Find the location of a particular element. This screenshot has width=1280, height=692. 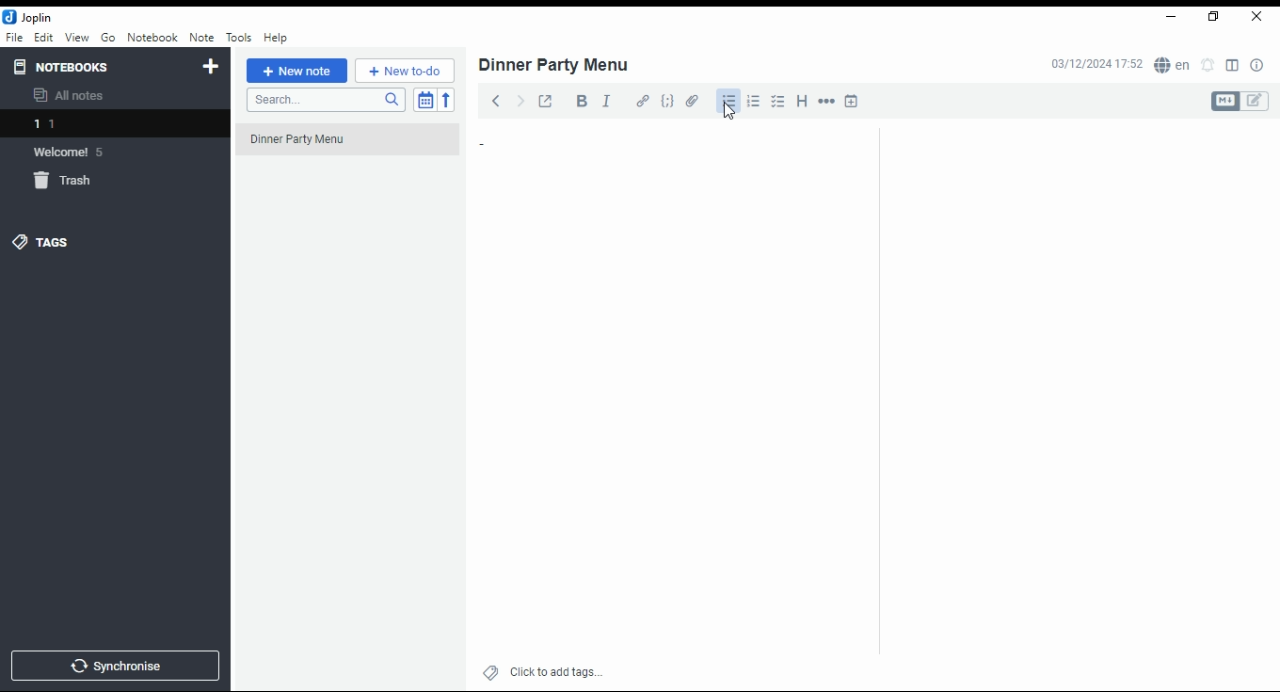

bold is located at coordinates (578, 101).